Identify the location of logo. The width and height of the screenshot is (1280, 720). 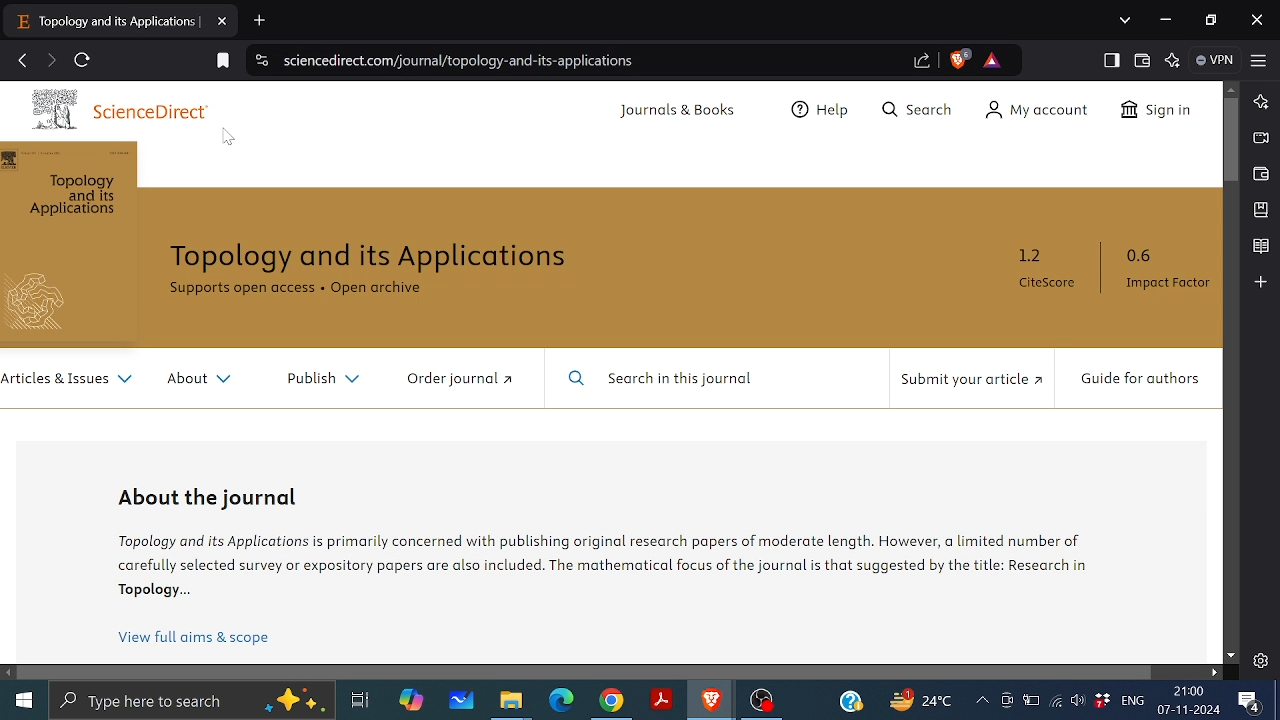
(44, 302).